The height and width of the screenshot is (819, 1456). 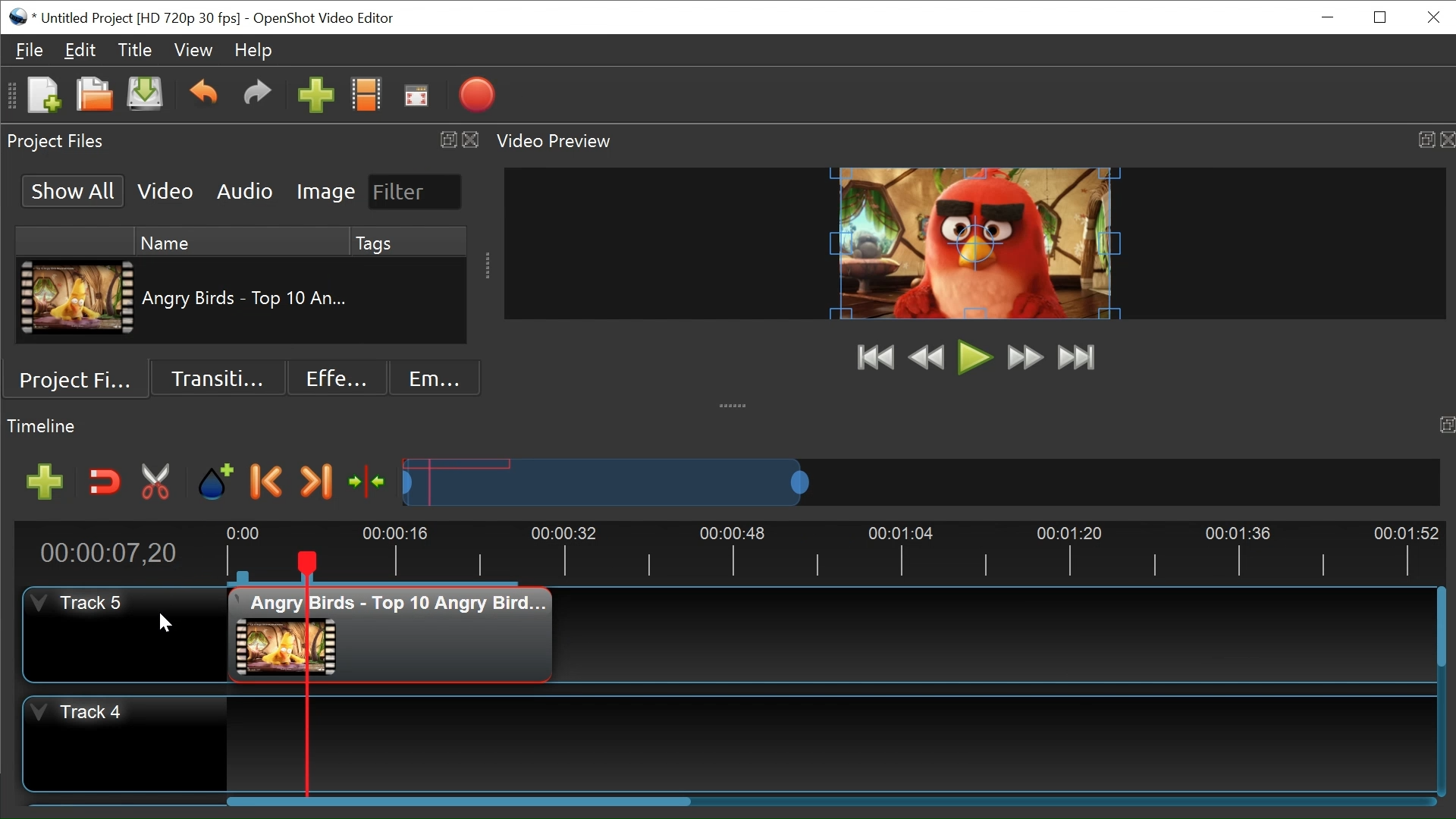 What do you see at coordinates (316, 482) in the screenshot?
I see `Next Marker` at bounding box center [316, 482].